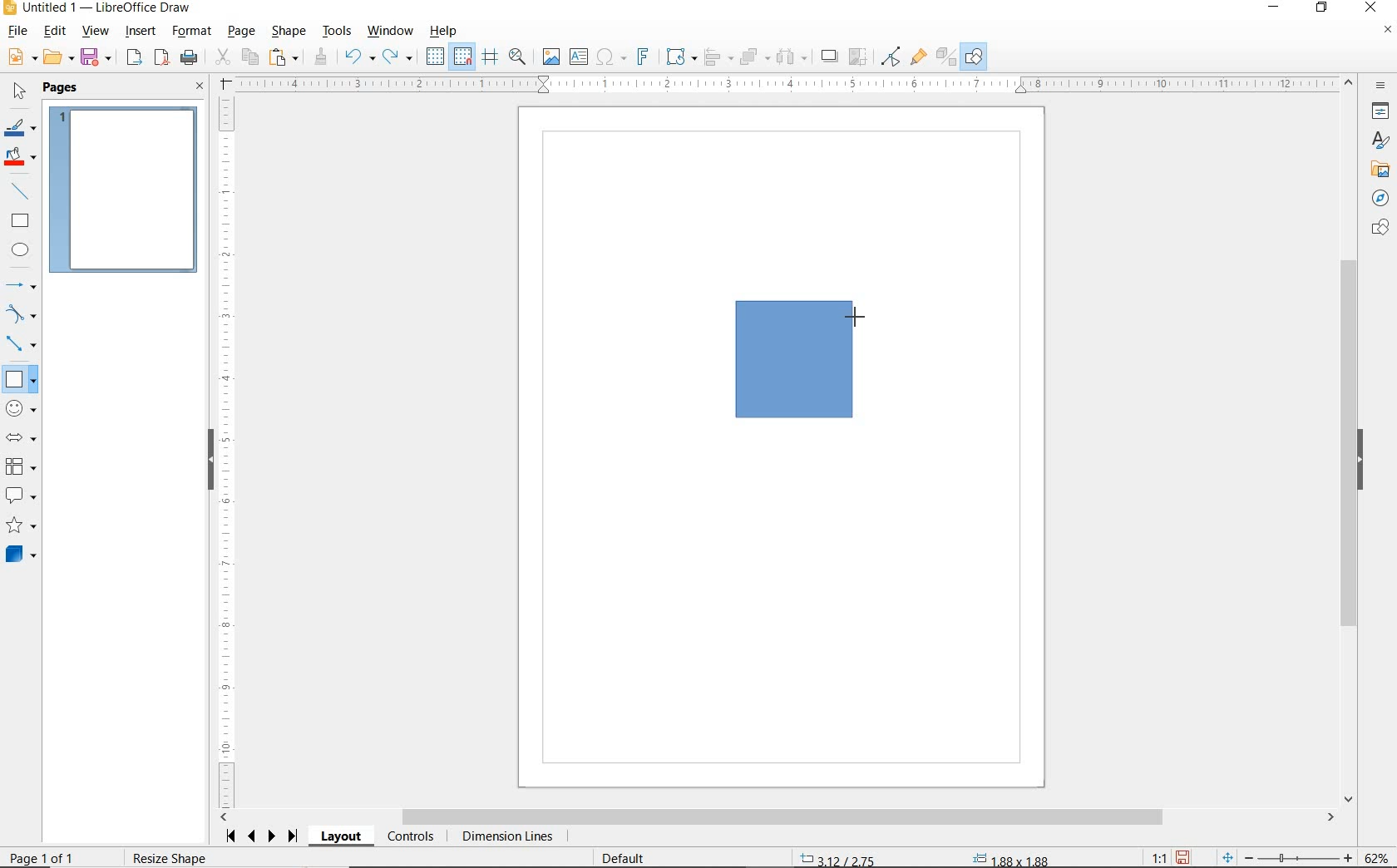 This screenshot has width=1397, height=868. What do you see at coordinates (21, 57) in the screenshot?
I see `NEW` at bounding box center [21, 57].